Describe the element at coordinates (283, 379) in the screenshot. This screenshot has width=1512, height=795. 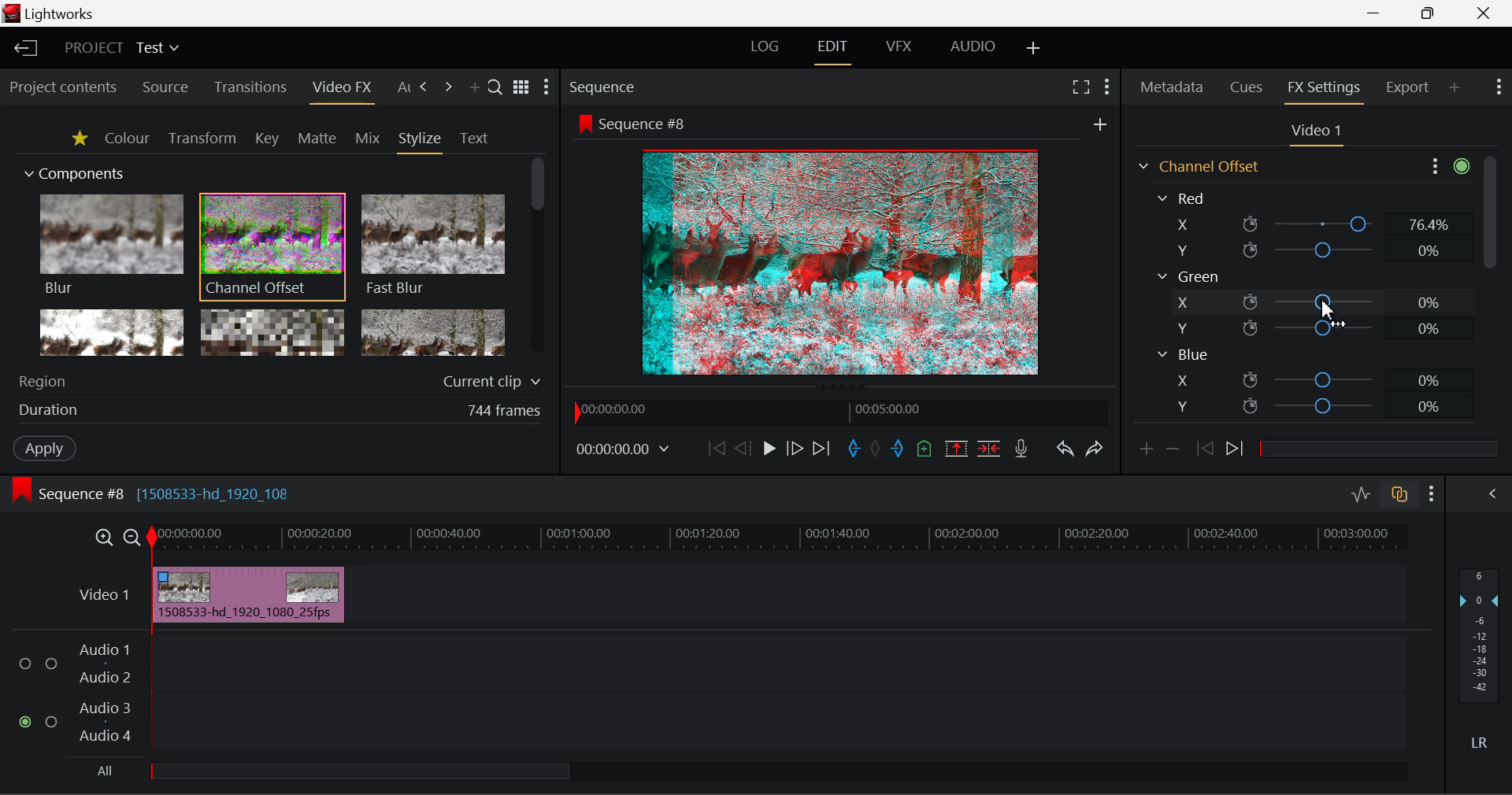
I see `Region` at that location.